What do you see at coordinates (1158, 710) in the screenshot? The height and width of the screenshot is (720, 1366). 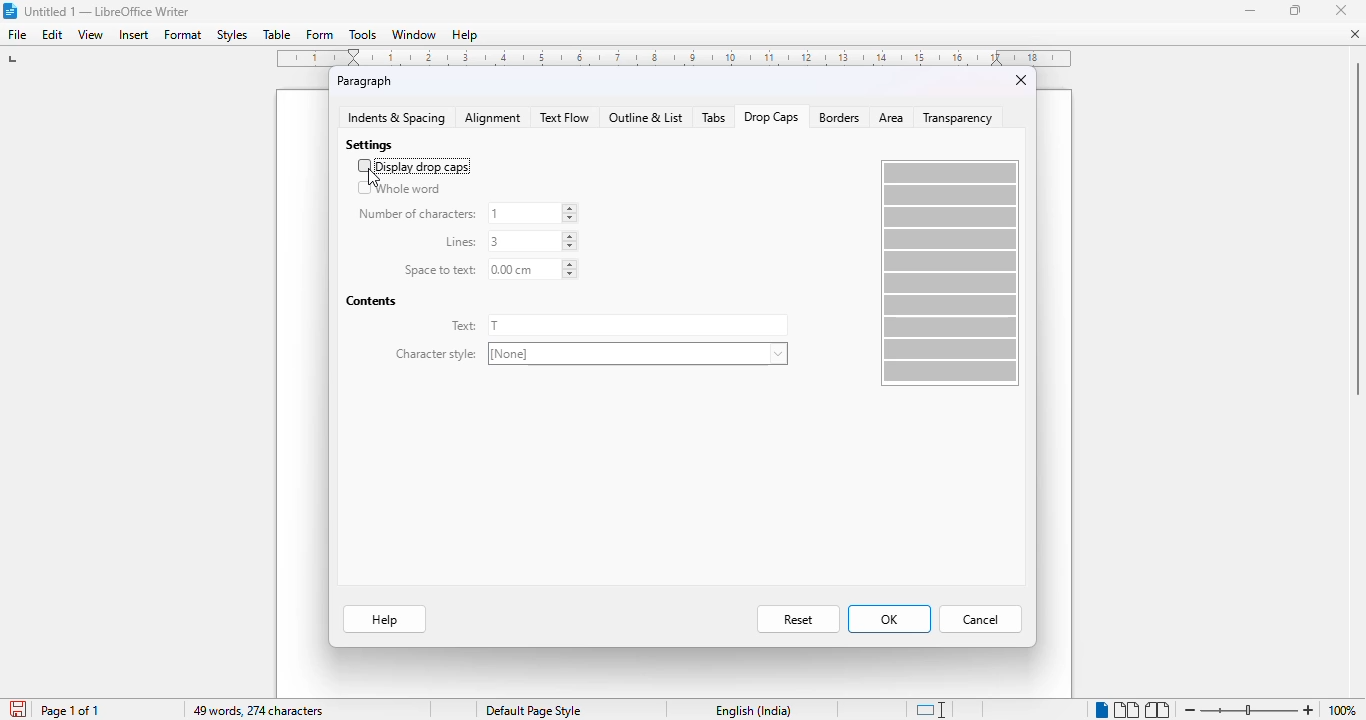 I see `book view` at bounding box center [1158, 710].